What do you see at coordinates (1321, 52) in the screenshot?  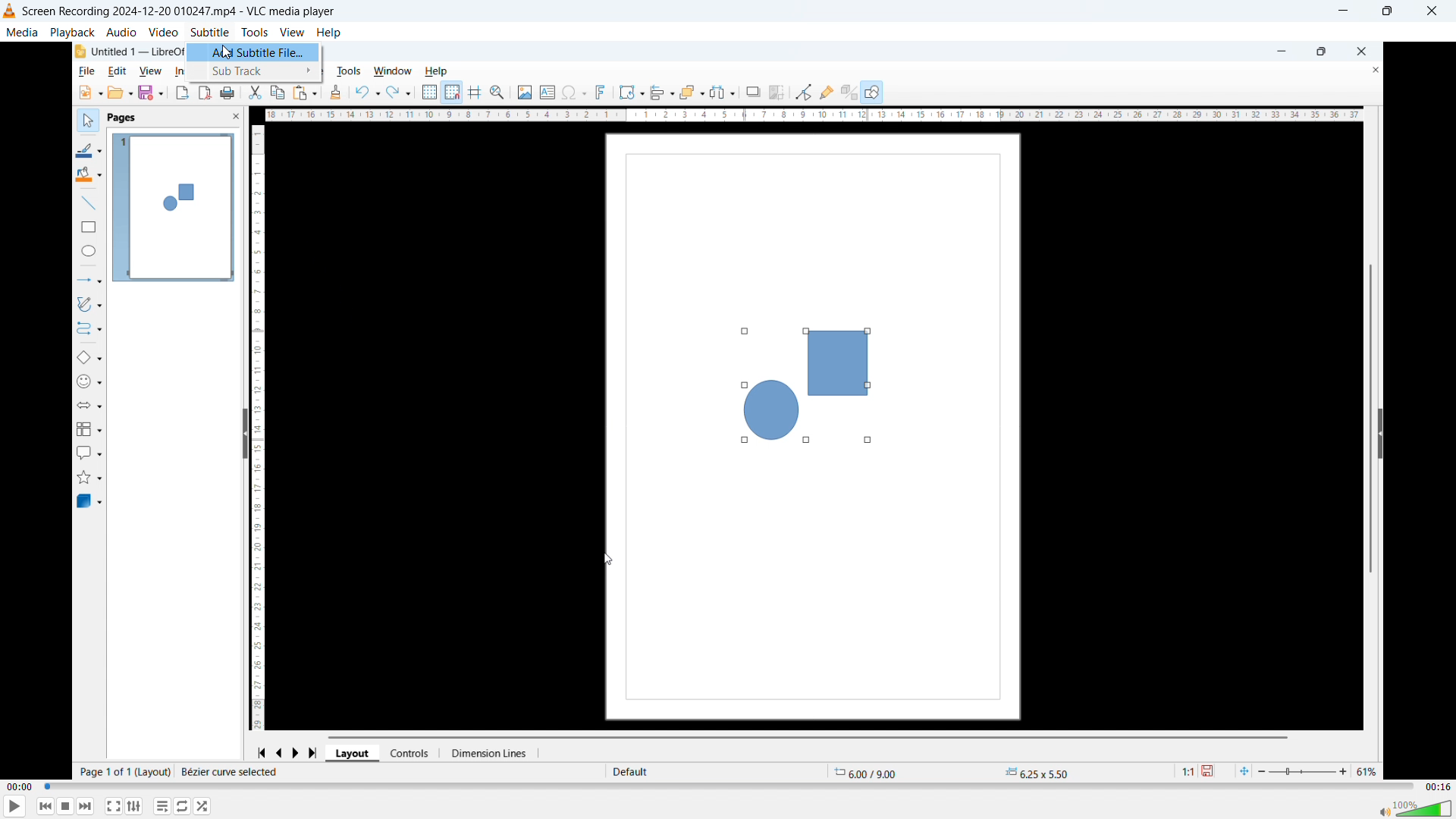 I see `maximize` at bounding box center [1321, 52].